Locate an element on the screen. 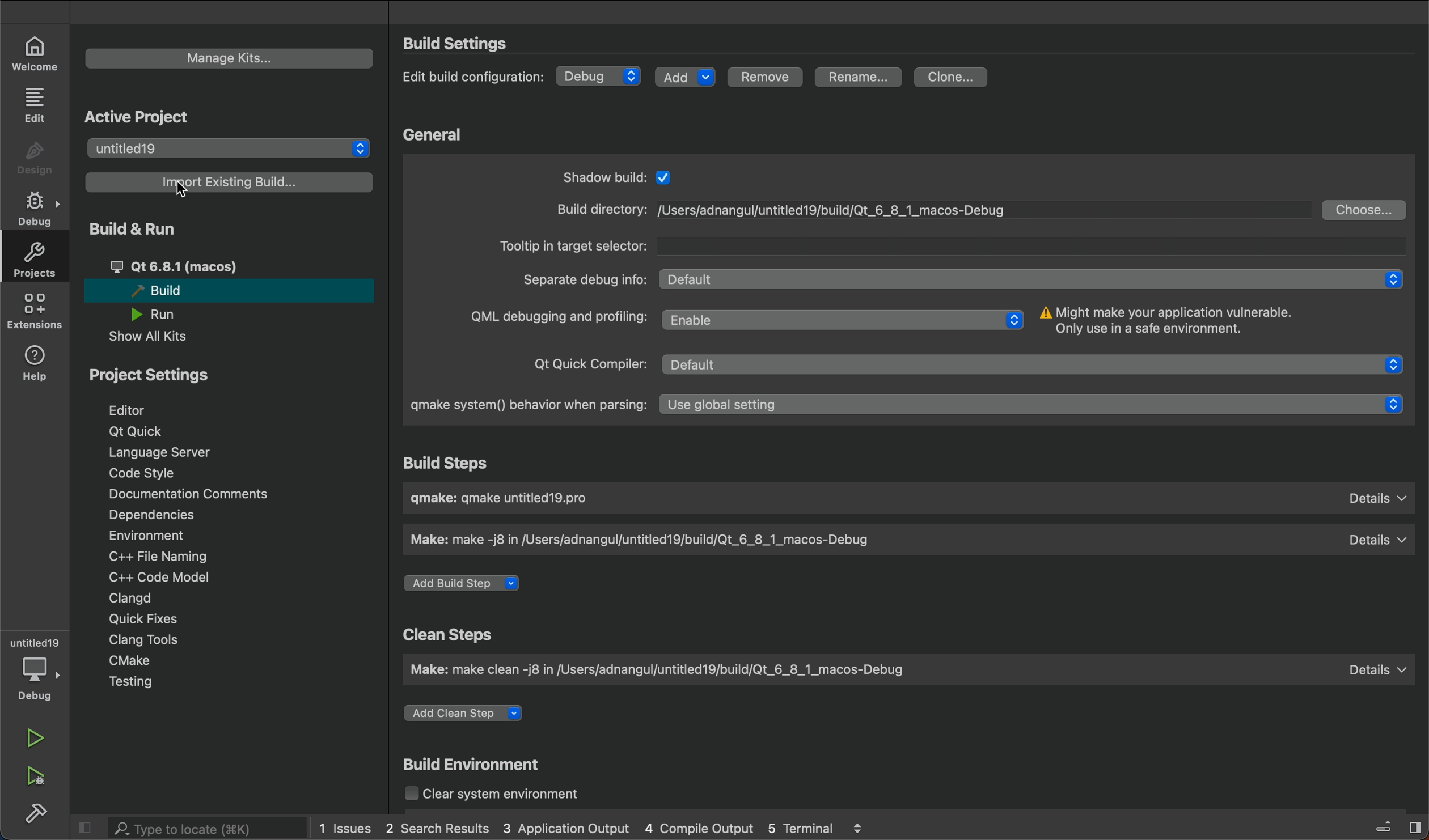 The height and width of the screenshot is (840, 1429). rename is located at coordinates (861, 78).